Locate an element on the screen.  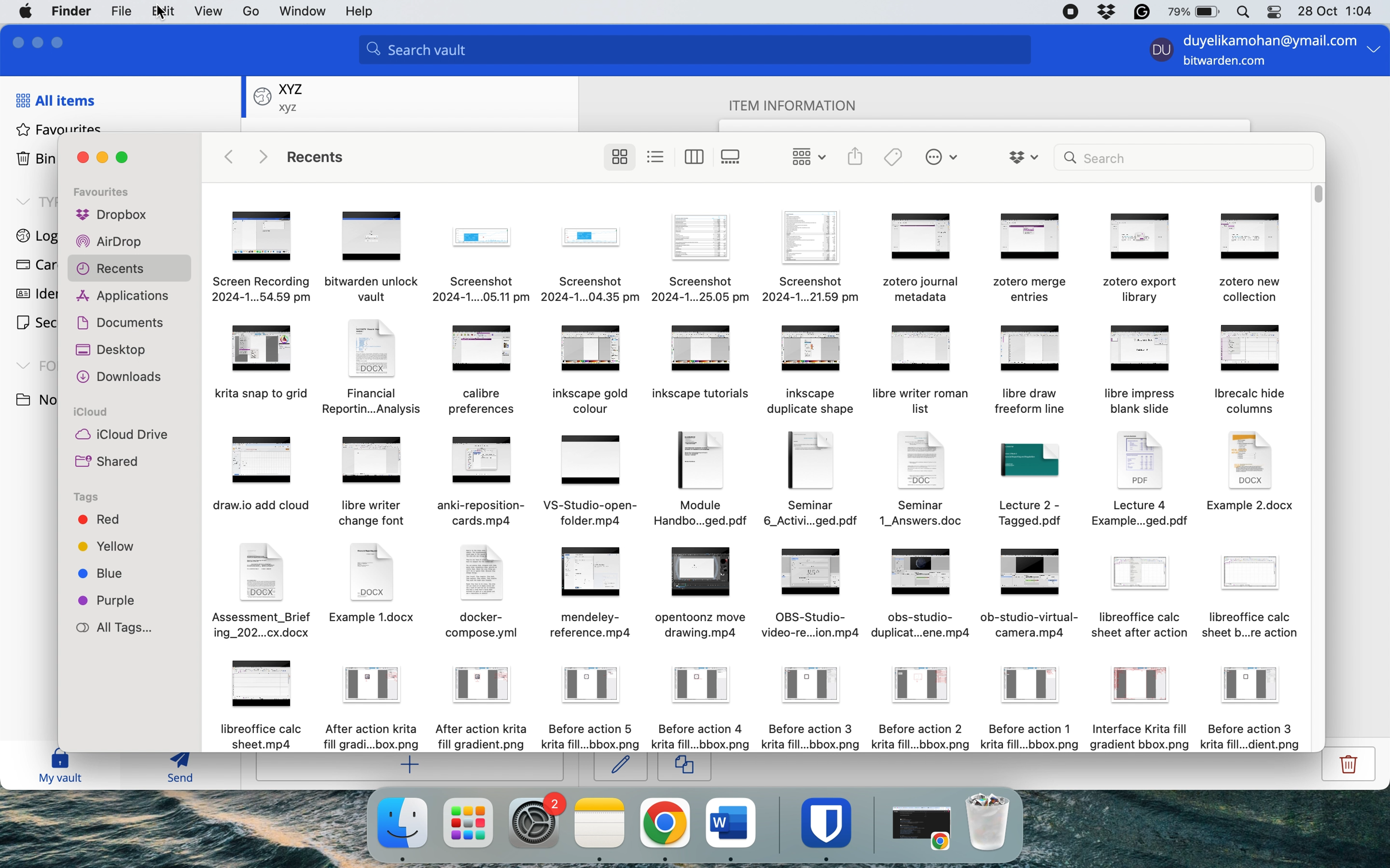
vertical scroll bar is located at coordinates (1318, 195).